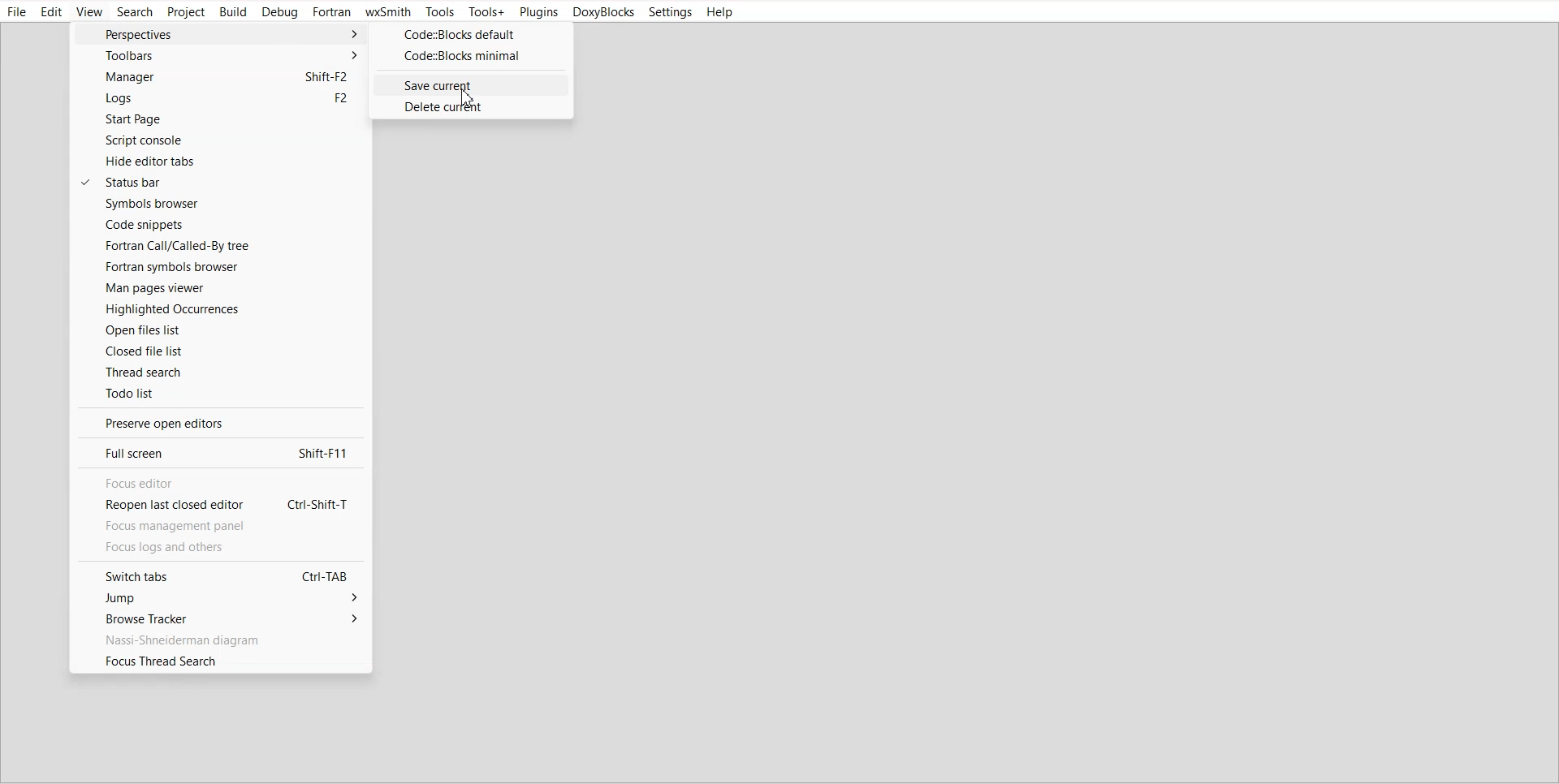 The width and height of the screenshot is (1559, 784). I want to click on Code Snippets, so click(220, 224).